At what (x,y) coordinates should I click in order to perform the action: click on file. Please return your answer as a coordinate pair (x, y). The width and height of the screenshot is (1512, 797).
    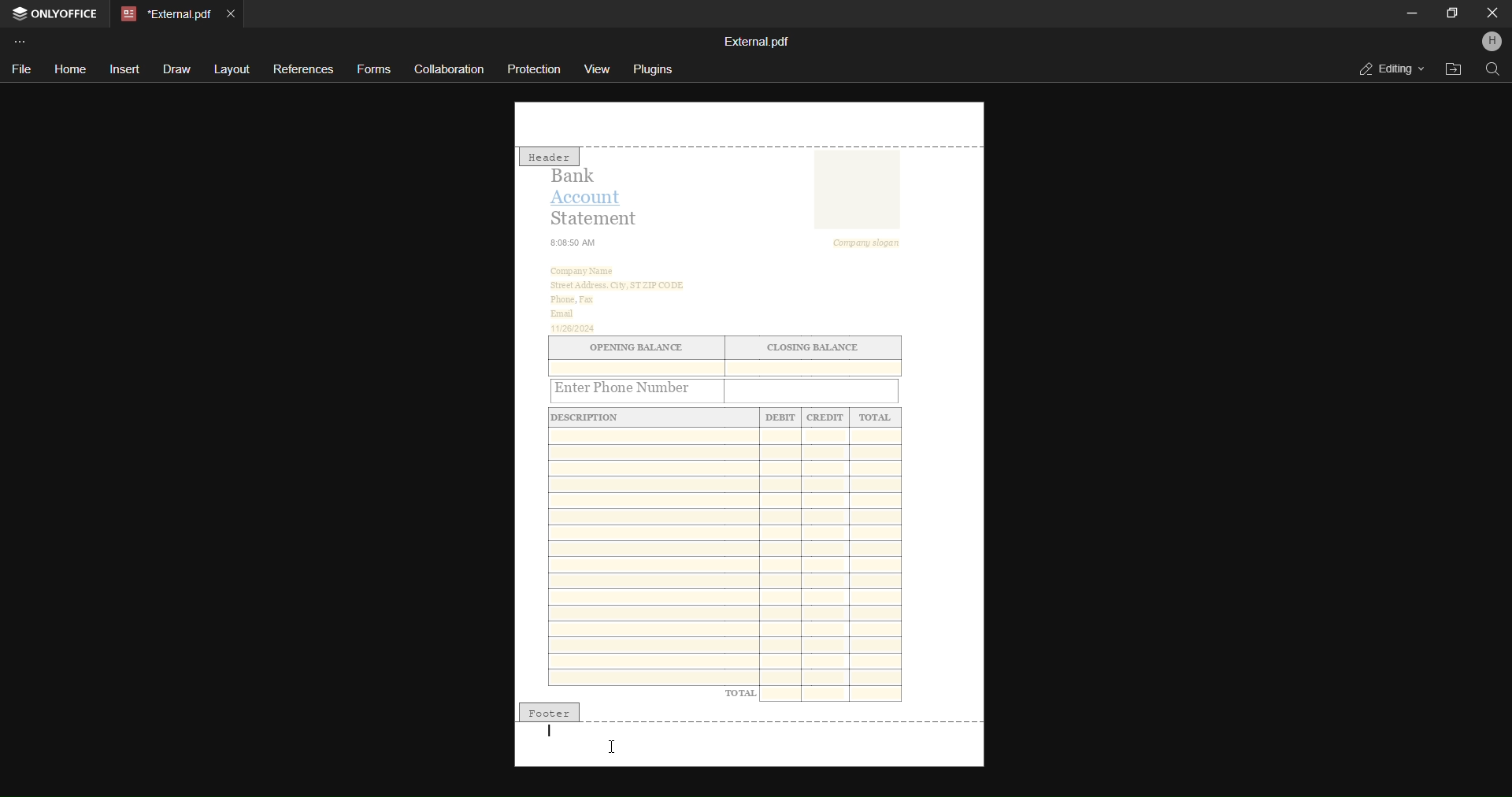
    Looking at the image, I should click on (19, 71).